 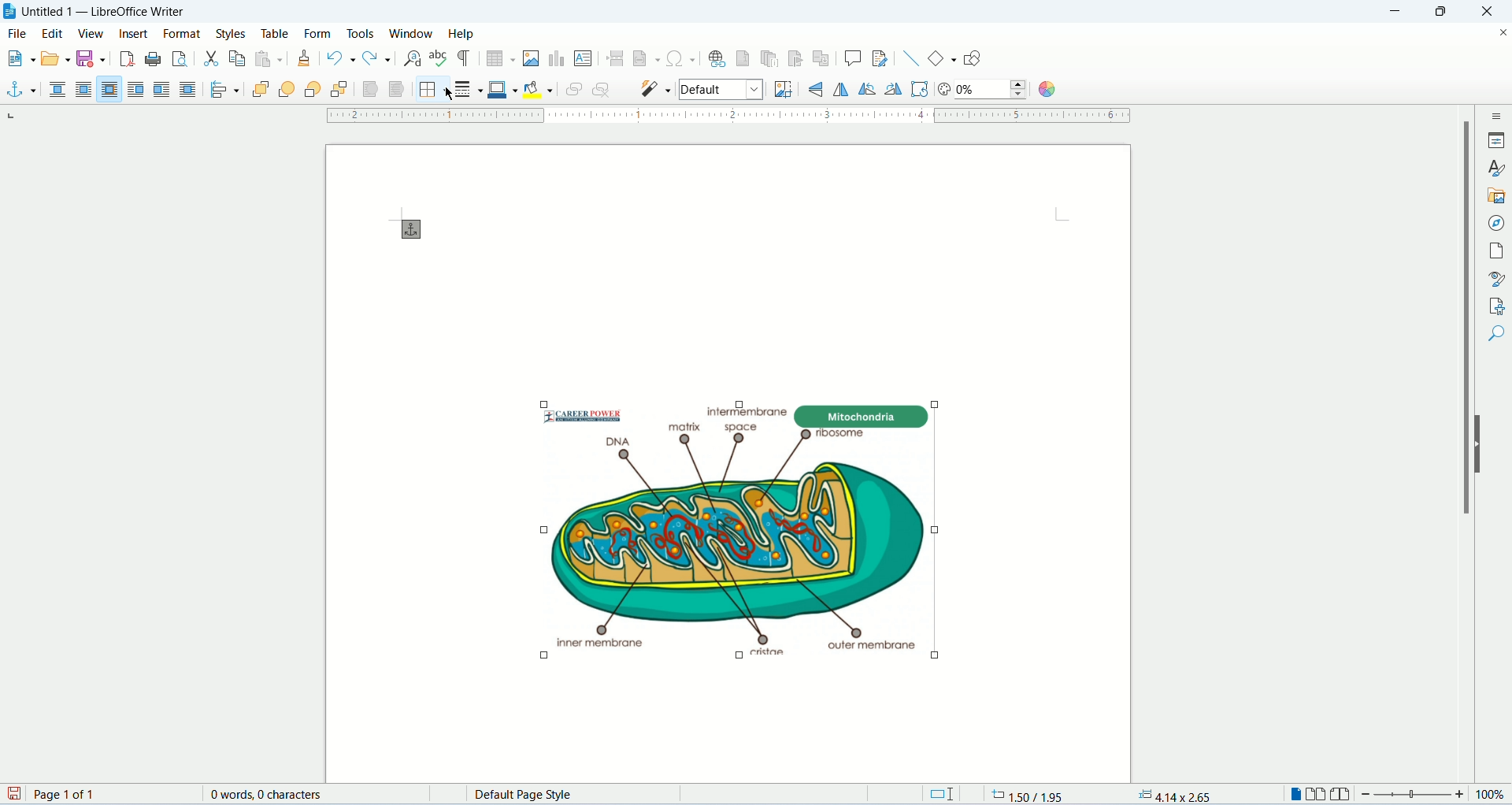 I want to click on styles, so click(x=1496, y=168).